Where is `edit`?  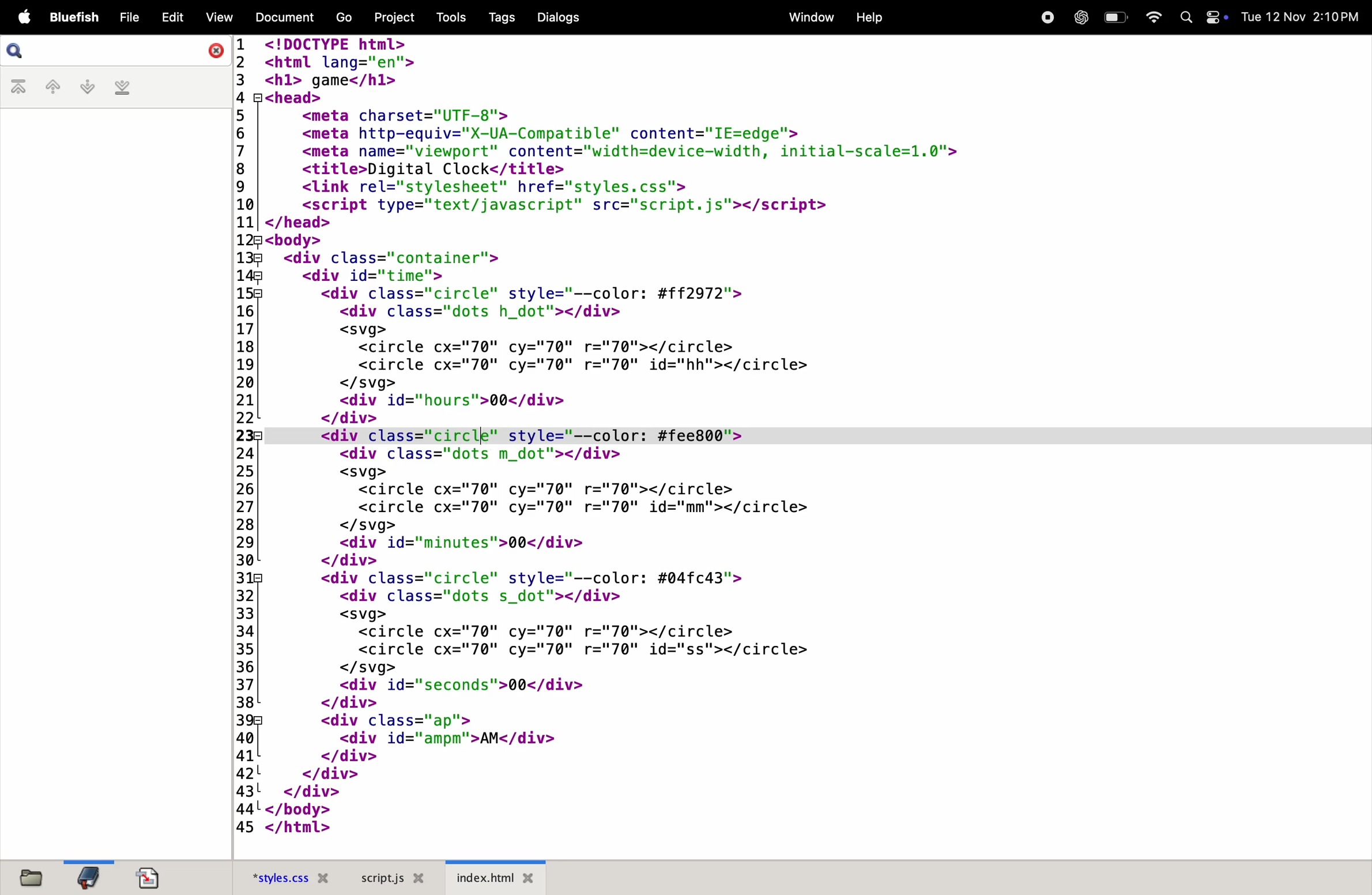 edit is located at coordinates (172, 16).